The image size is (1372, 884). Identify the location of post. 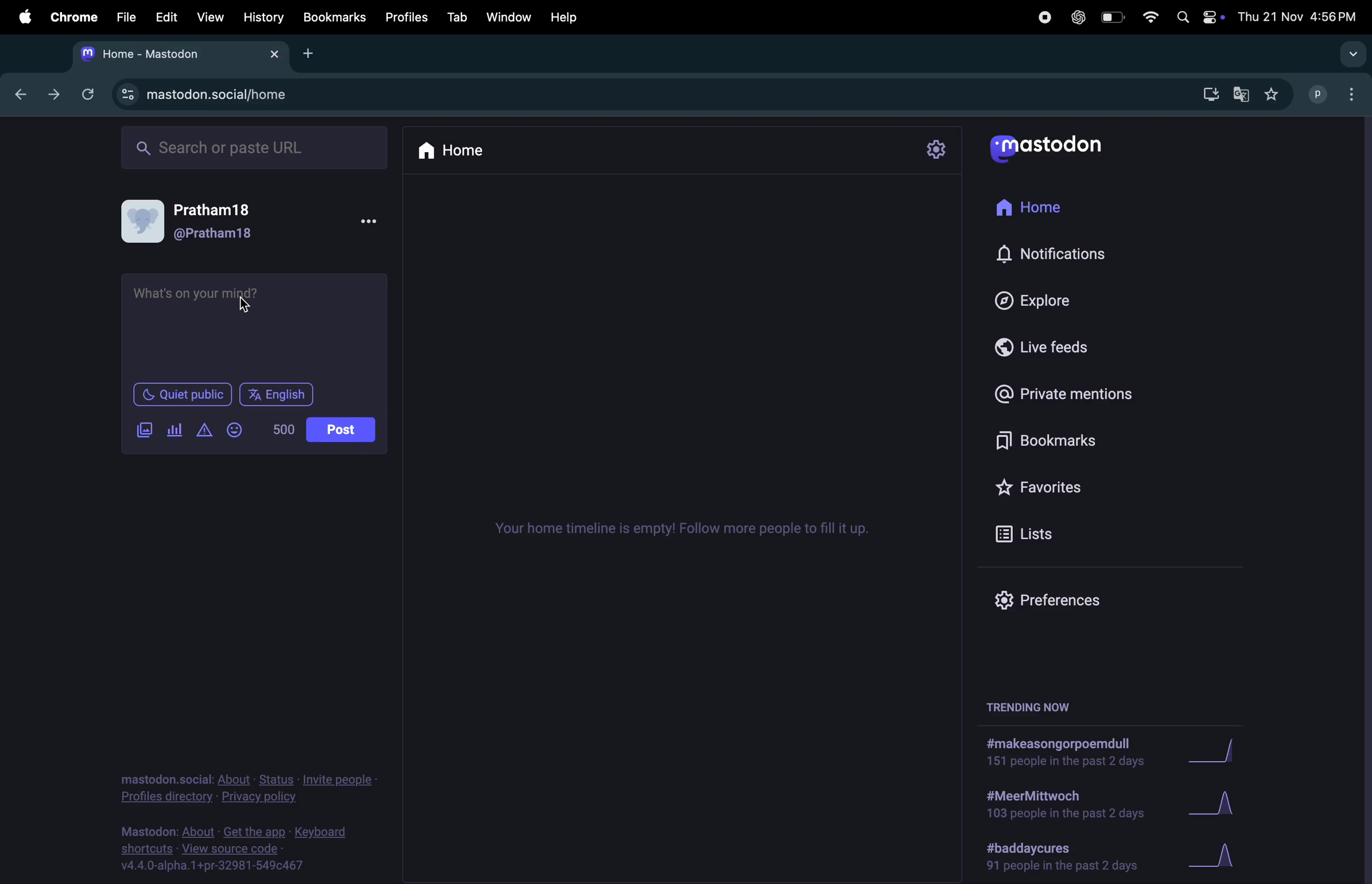
(341, 431).